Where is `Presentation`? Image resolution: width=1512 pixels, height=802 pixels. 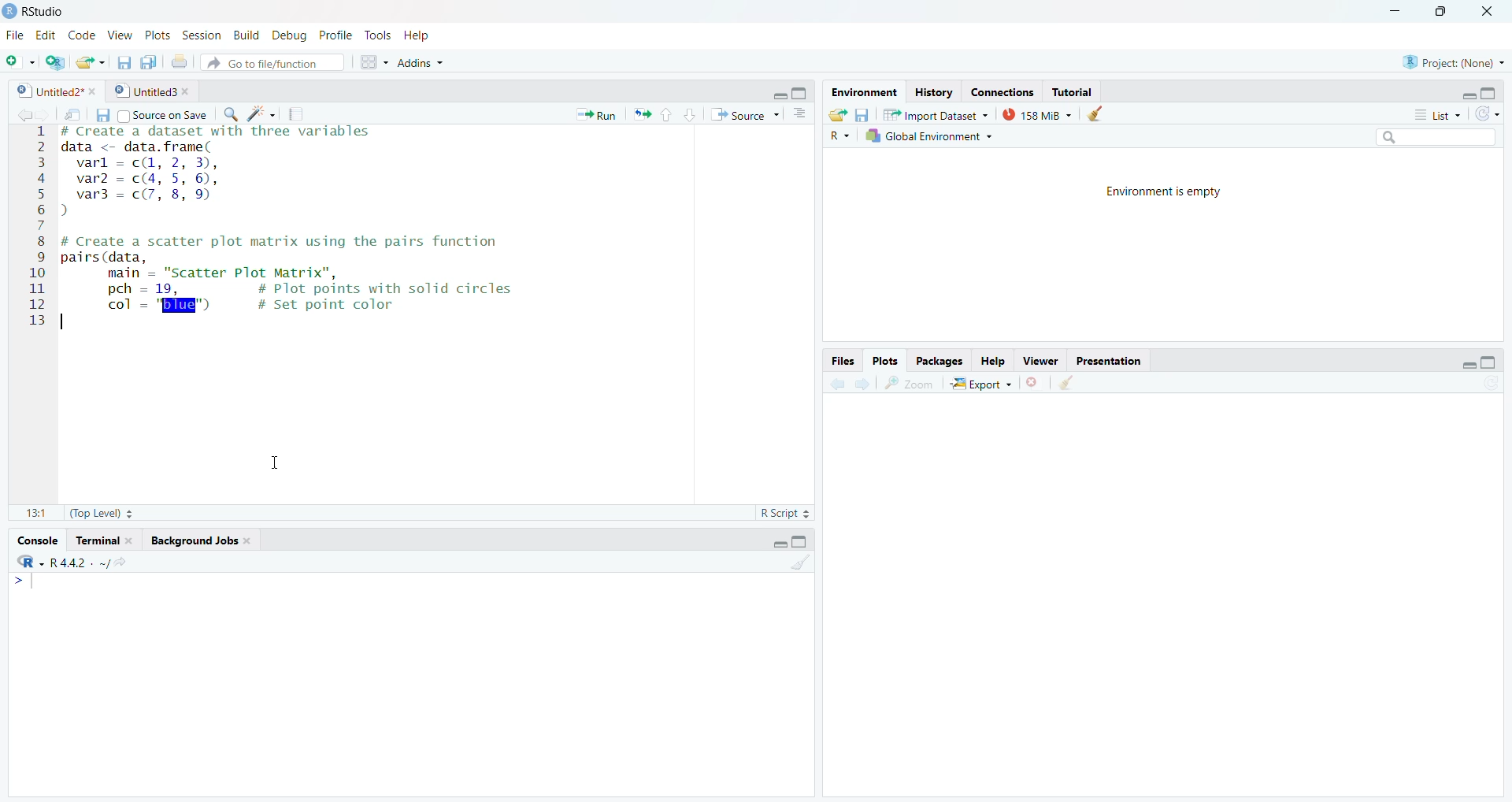 Presentation is located at coordinates (1110, 361).